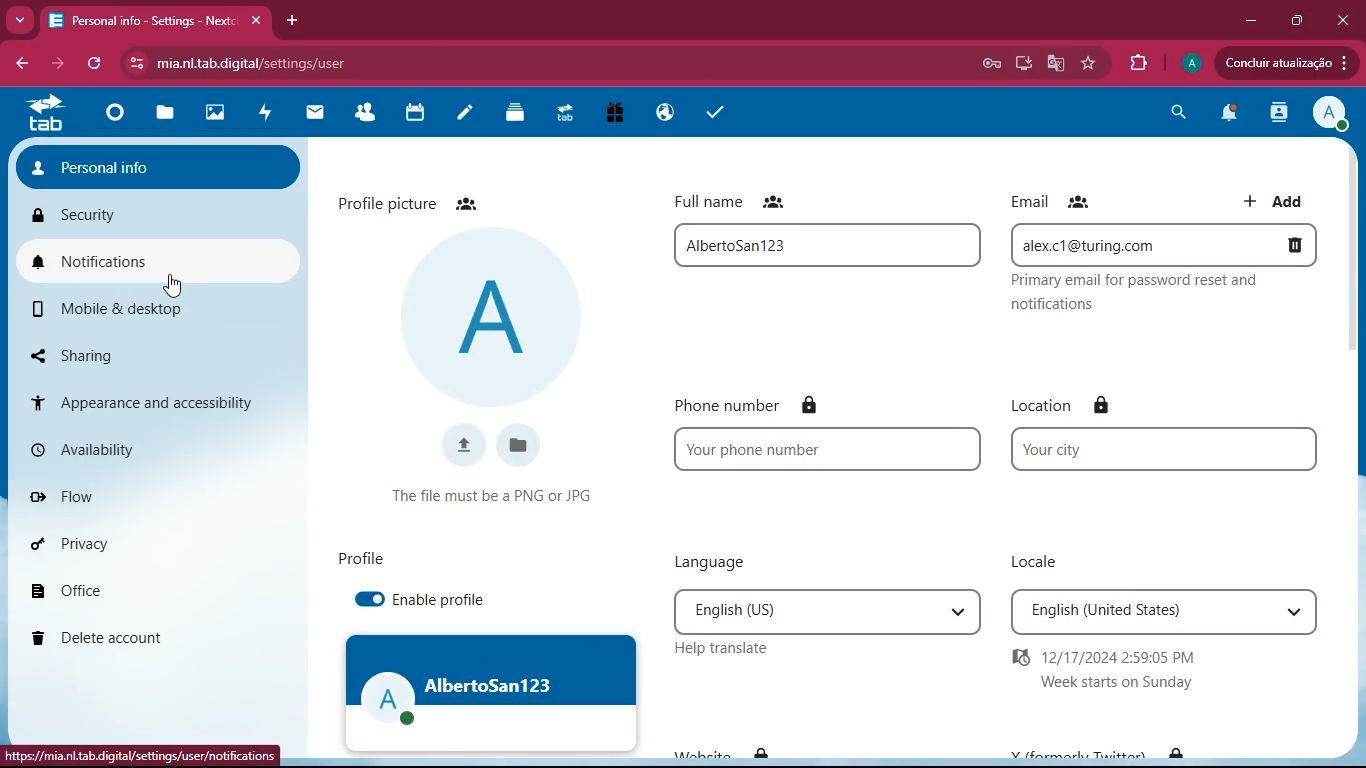  I want to click on maximize, so click(1299, 22).